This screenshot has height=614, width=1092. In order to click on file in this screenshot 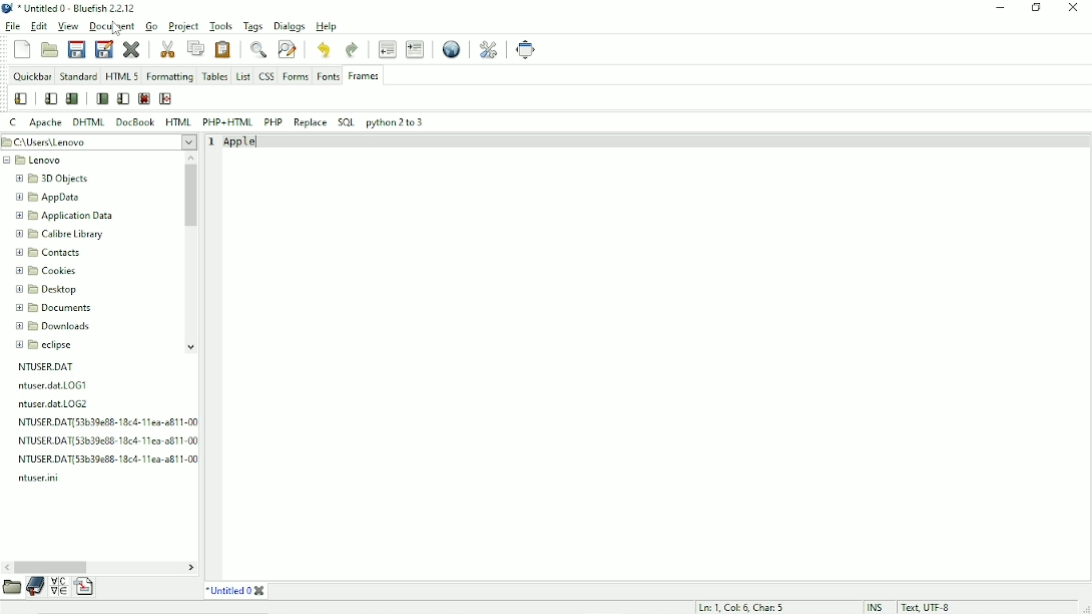, I will do `click(105, 422)`.